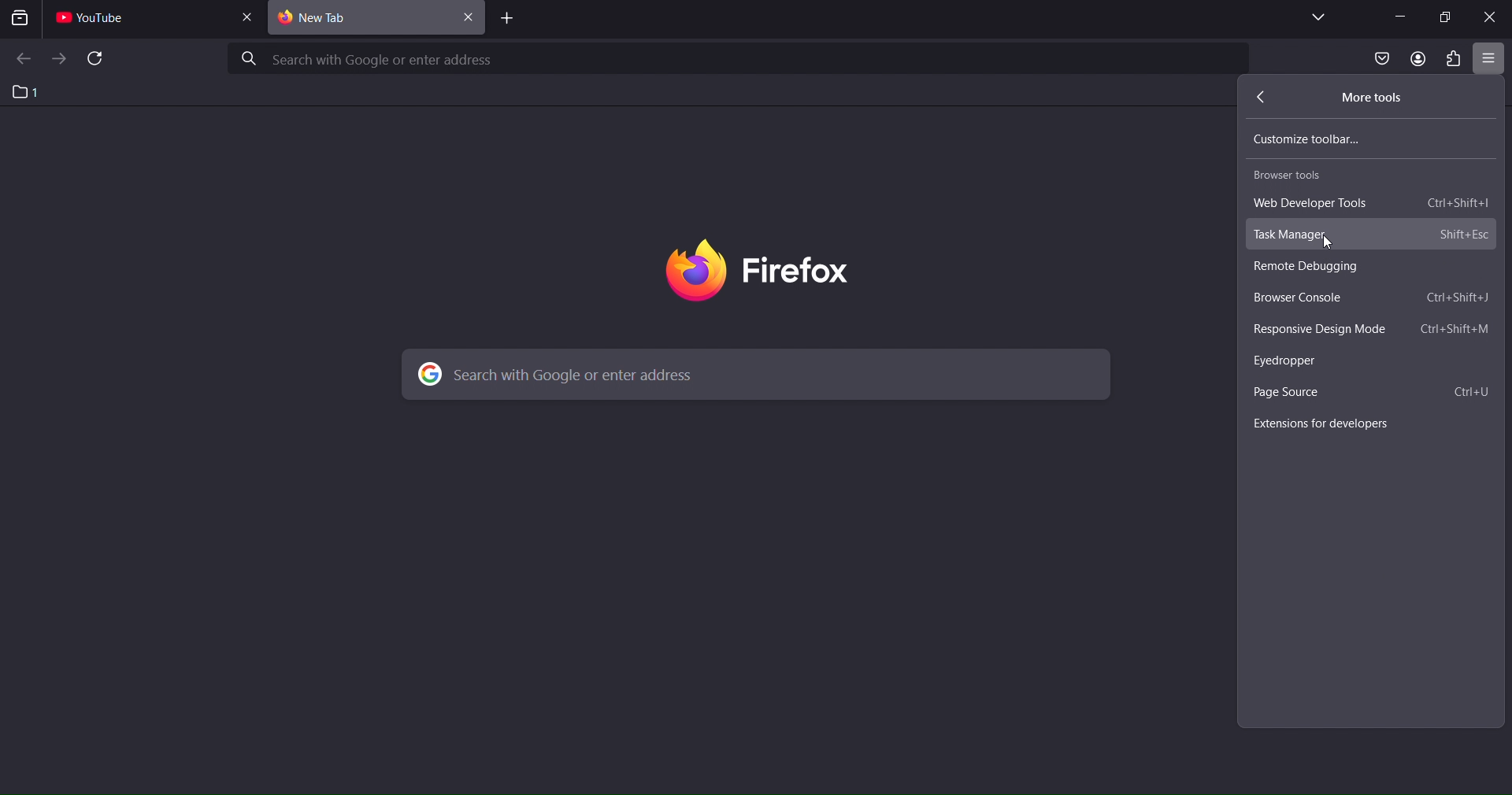  What do you see at coordinates (23, 20) in the screenshot?
I see `search all tabs` at bounding box center [23, 20].